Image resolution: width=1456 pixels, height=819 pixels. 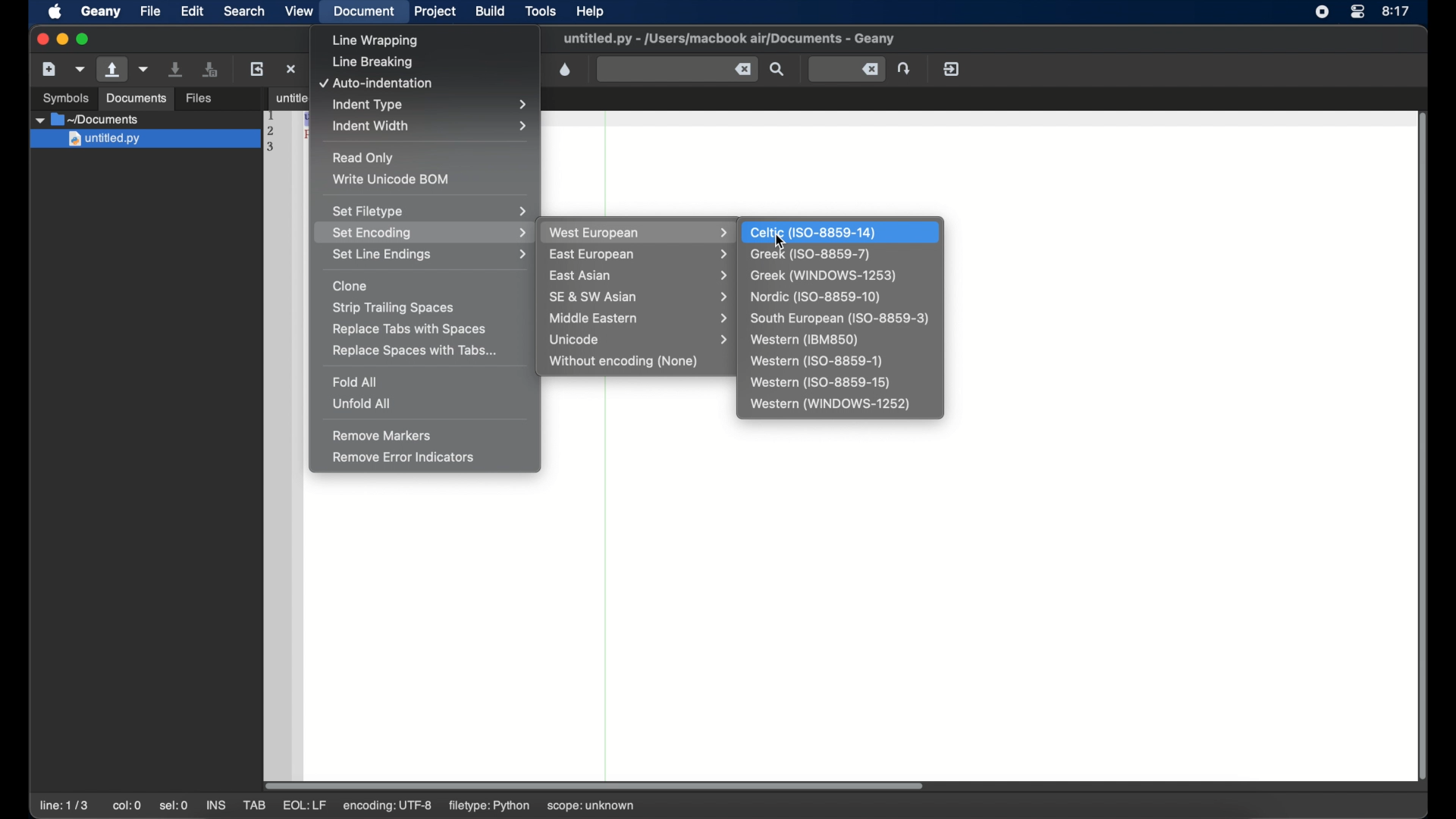 I want to click on line breaking, so click(x=372, y=63).